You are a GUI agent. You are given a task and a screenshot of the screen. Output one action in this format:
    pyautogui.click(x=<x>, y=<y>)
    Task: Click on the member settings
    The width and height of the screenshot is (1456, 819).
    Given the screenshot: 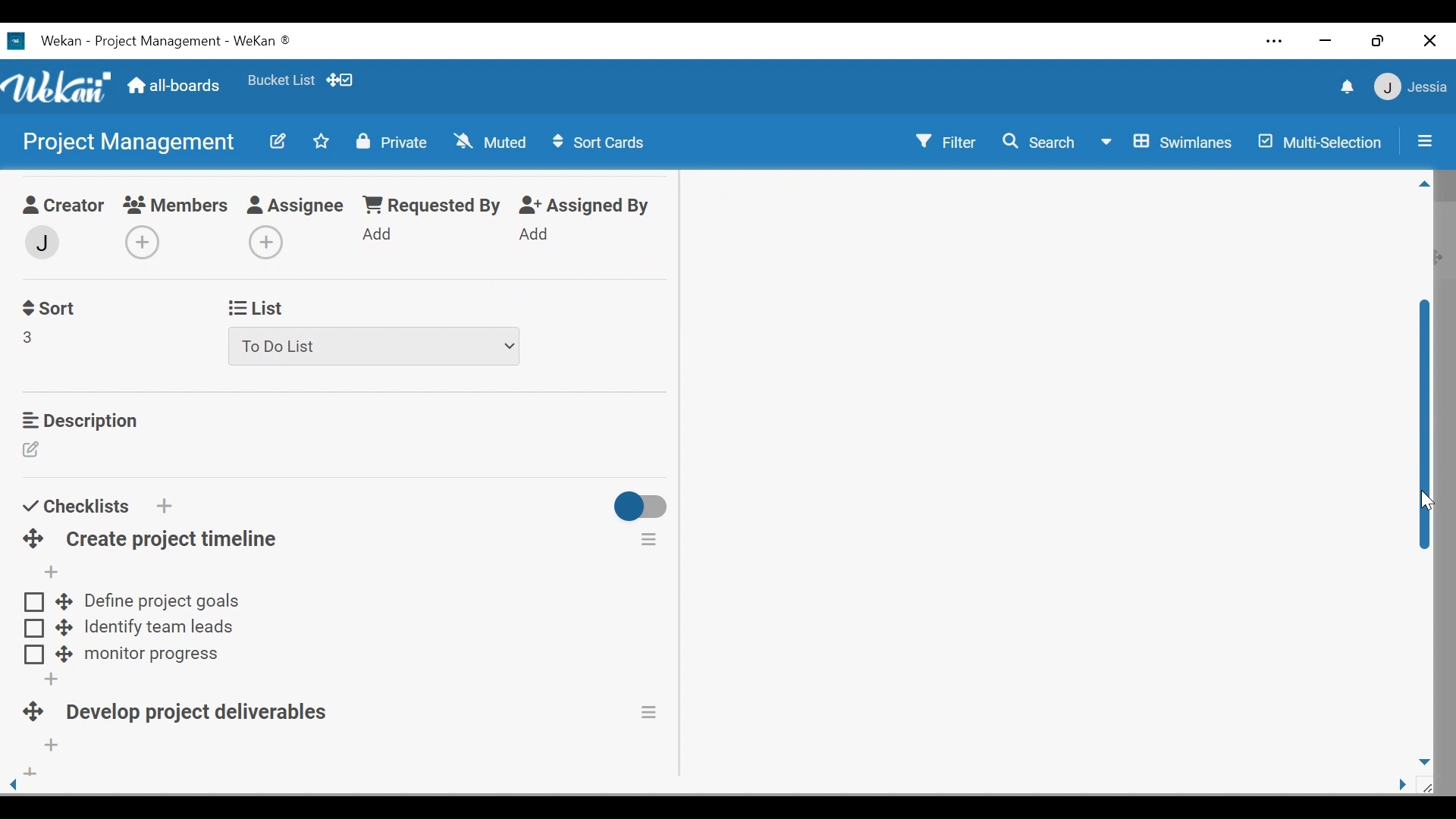 What is the action you would take?
    pyautogui.click(x=1410, y=86)
    